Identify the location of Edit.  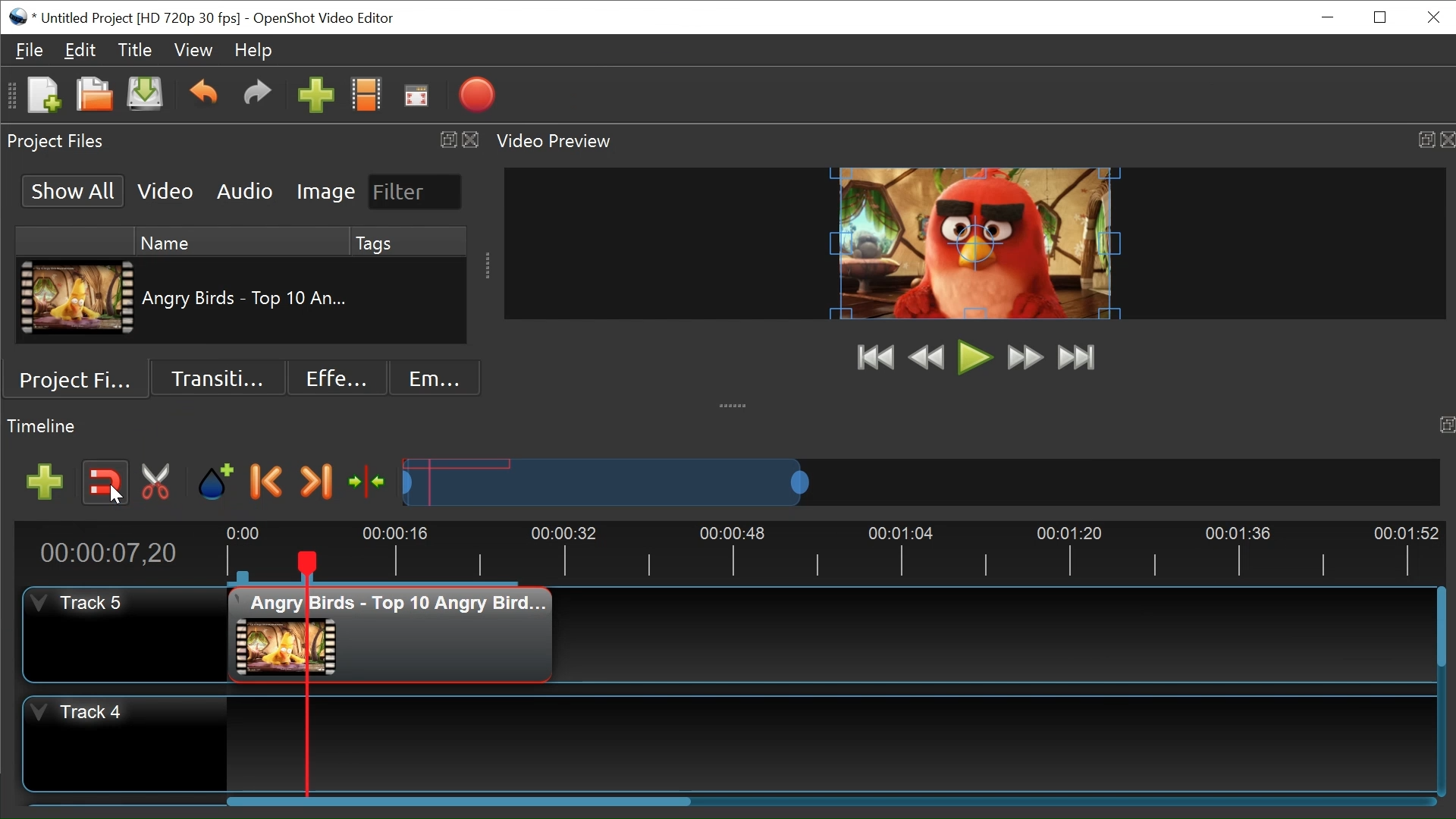
(80, 50).